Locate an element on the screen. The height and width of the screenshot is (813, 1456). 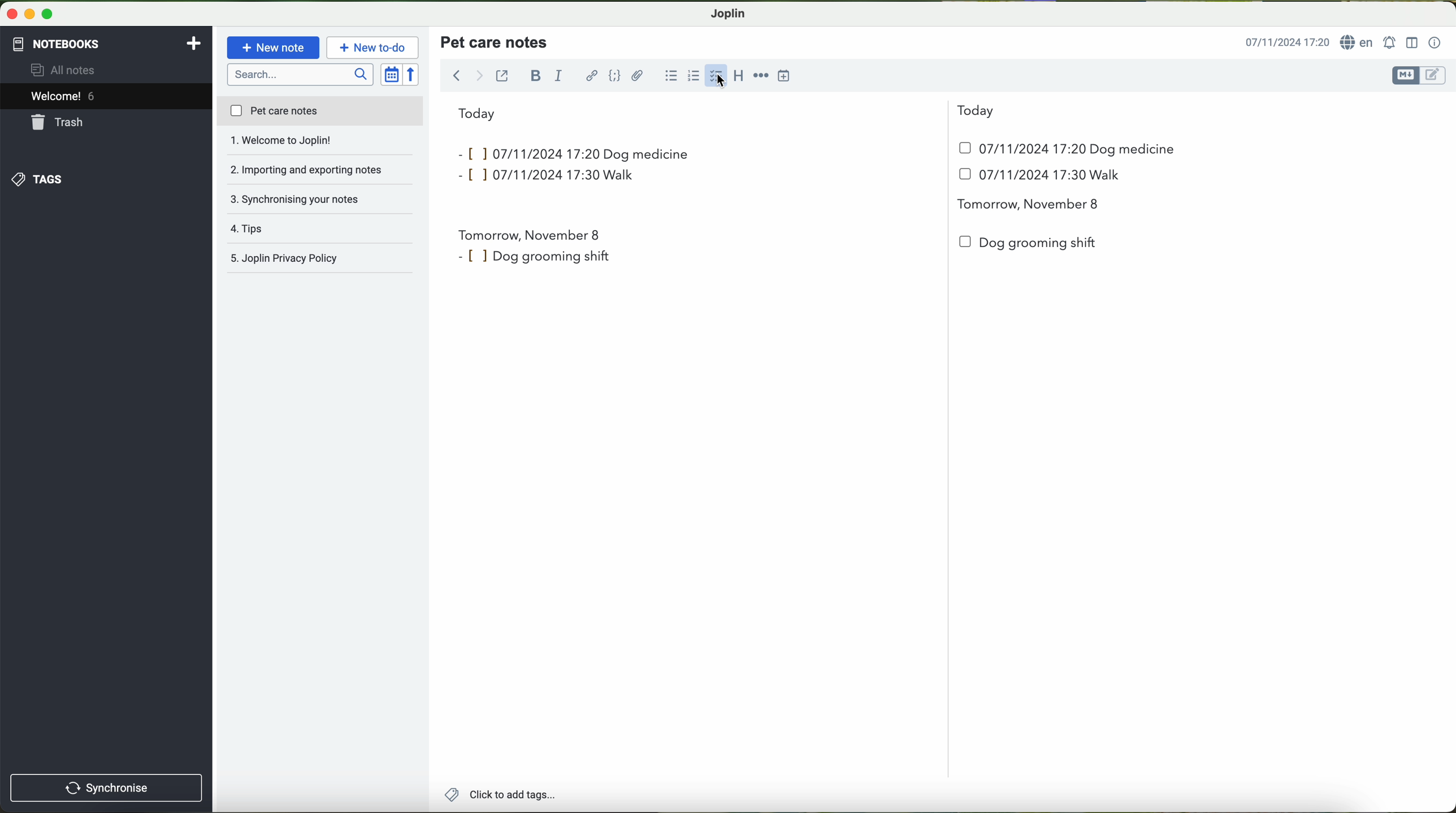
tomorrow november 8 is located at coordinates (1030, 205).